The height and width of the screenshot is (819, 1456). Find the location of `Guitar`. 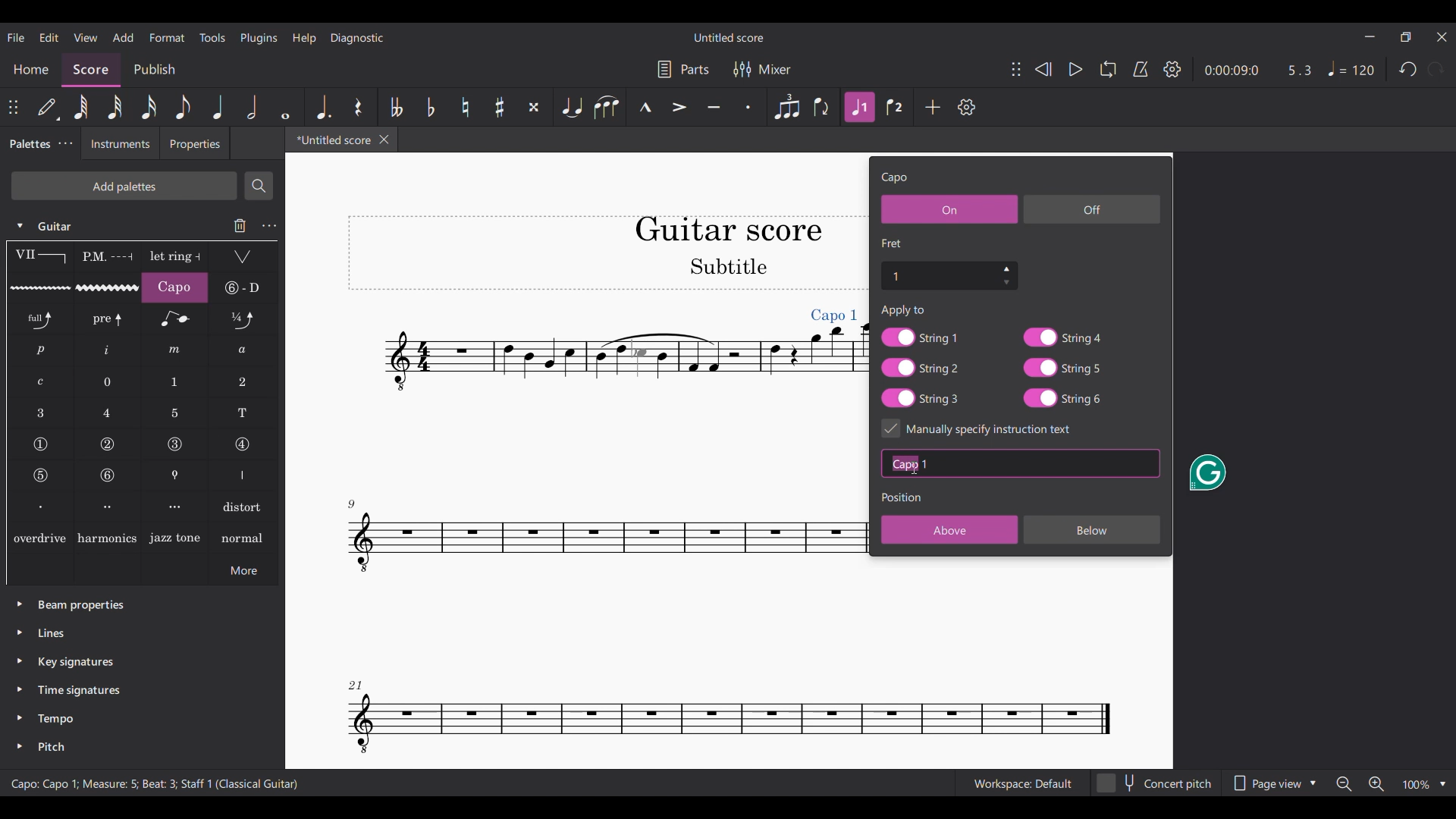

Guitar is located at coordinates (58, 226).